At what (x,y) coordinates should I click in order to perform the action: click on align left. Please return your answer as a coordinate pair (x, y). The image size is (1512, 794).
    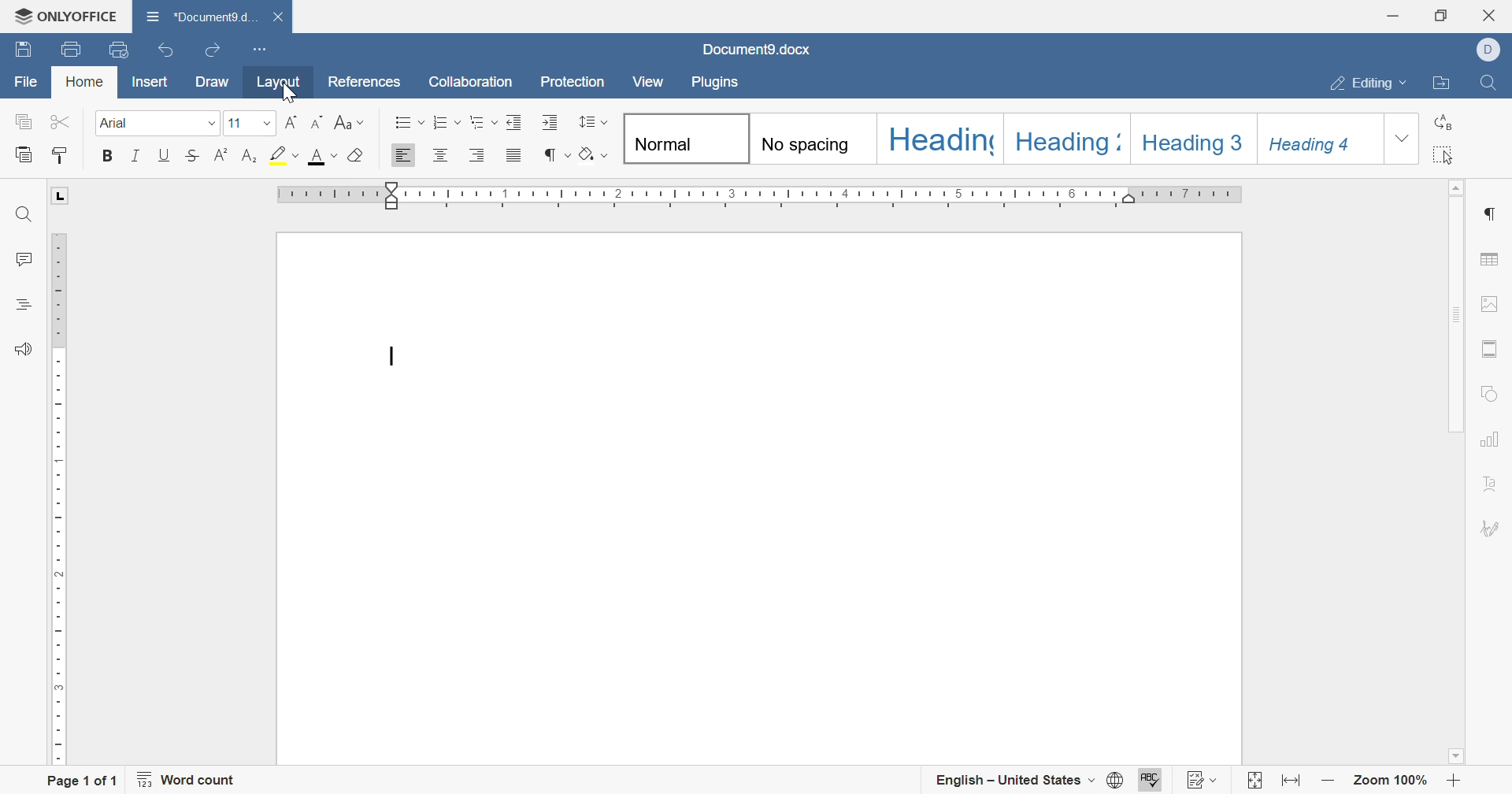
    Looking at the image, I should click on (409, 154).